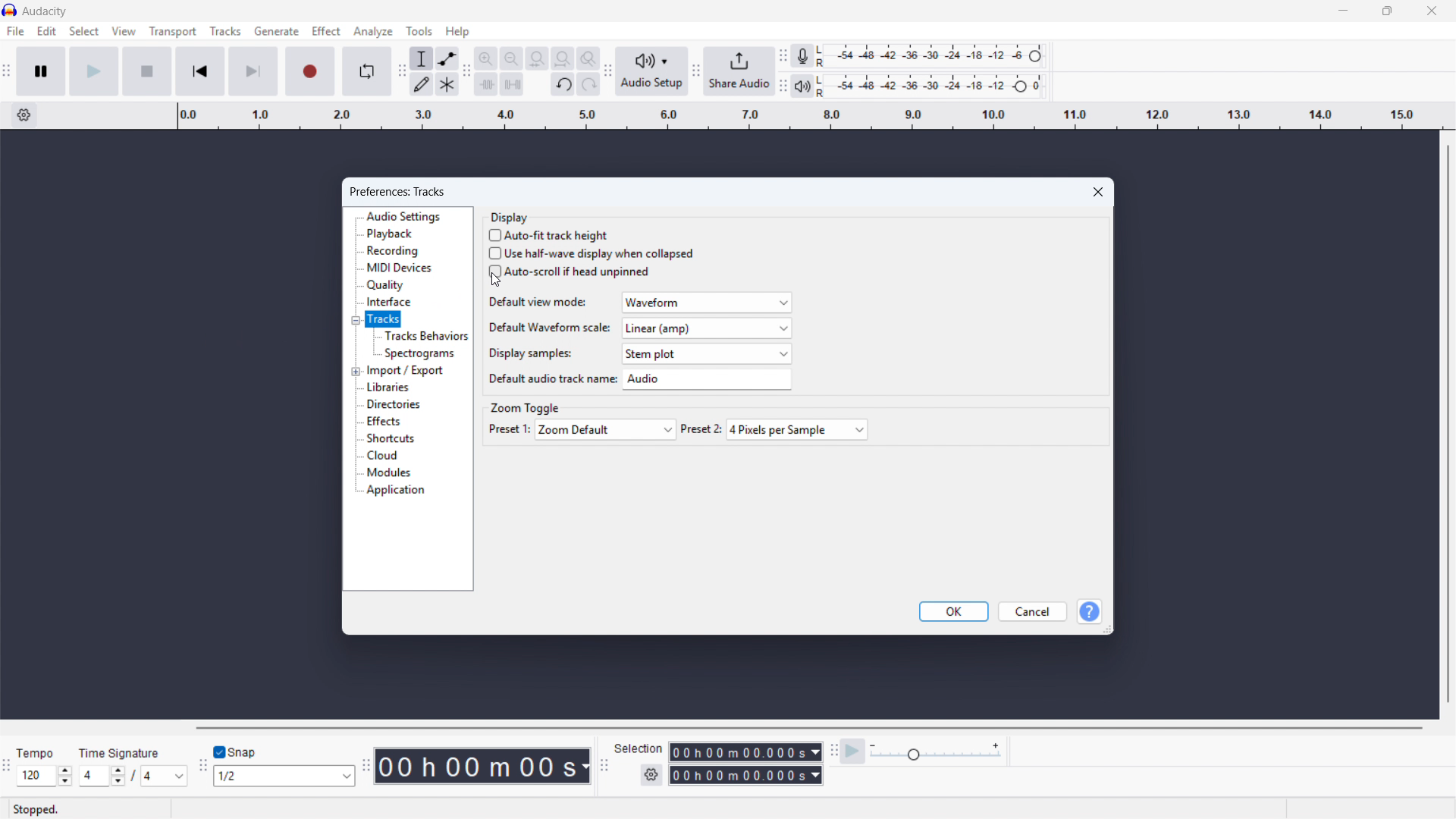 This screenshot has width=1456, height=819. What do you see at coordinates (1033, 611) in the screenshot?
I see `cancel` at bounding box center [1033, 611].